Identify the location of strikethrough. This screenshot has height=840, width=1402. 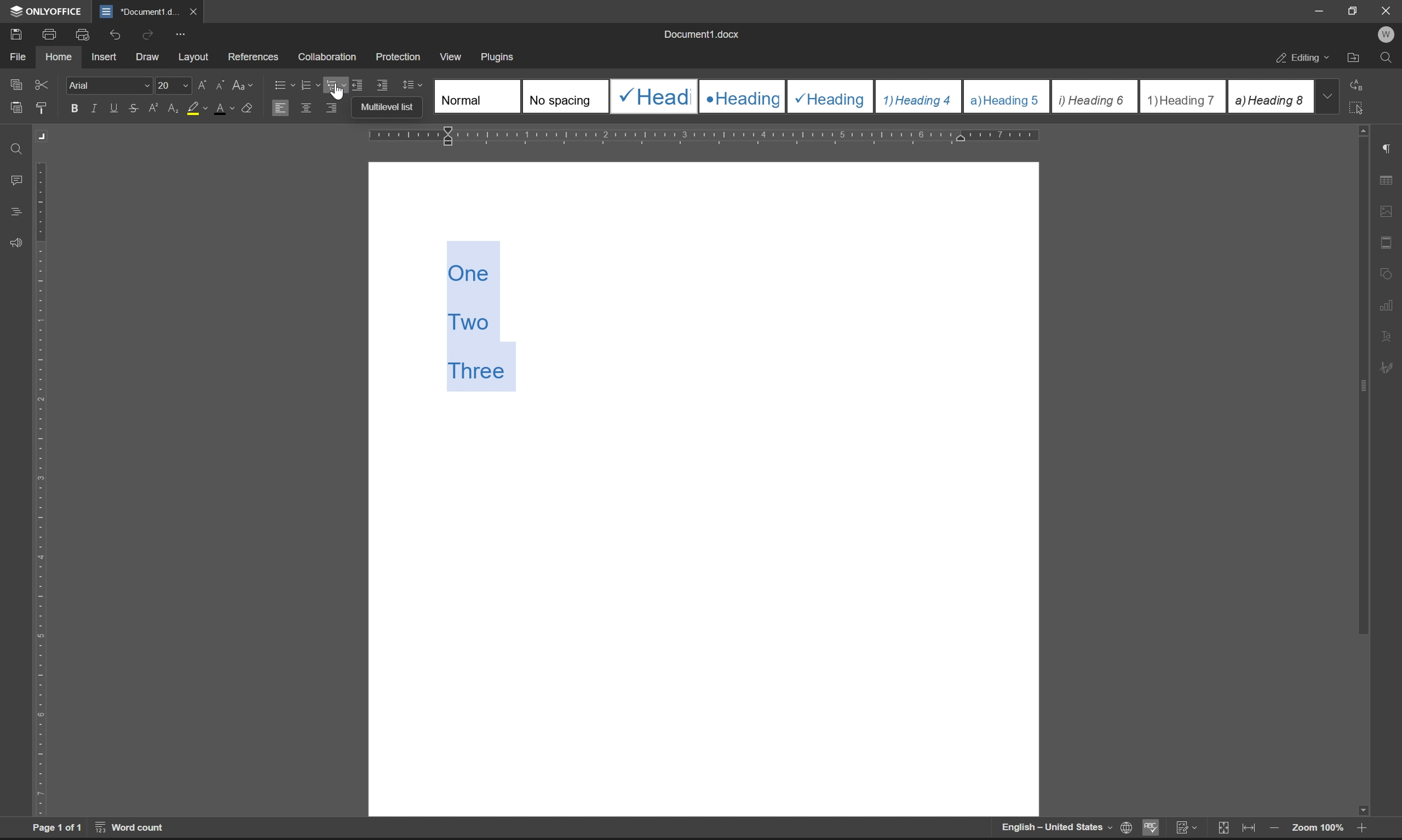
(134, 108).